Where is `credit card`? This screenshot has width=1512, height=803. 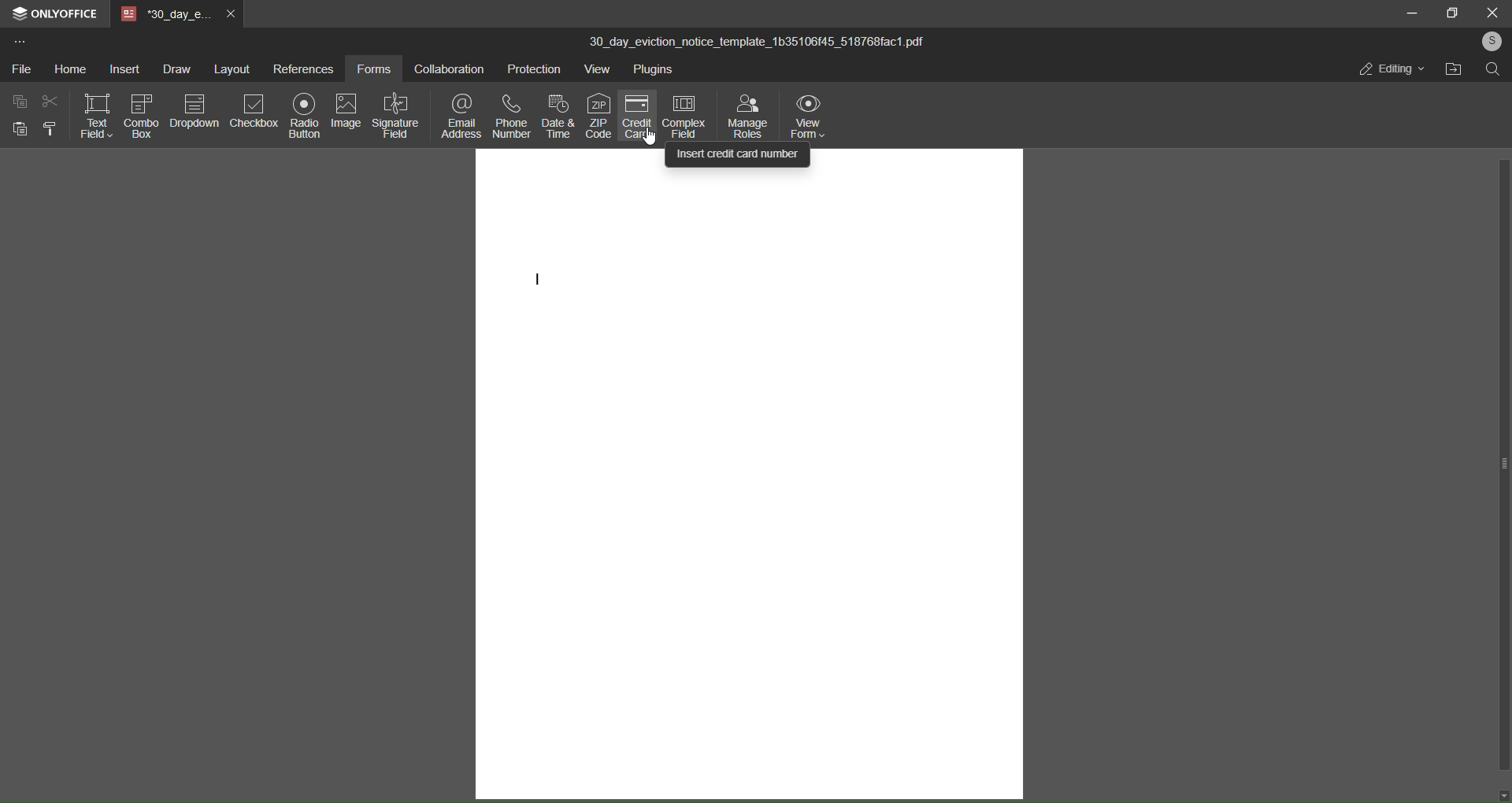 credit card is located at coordinates (639, 118).